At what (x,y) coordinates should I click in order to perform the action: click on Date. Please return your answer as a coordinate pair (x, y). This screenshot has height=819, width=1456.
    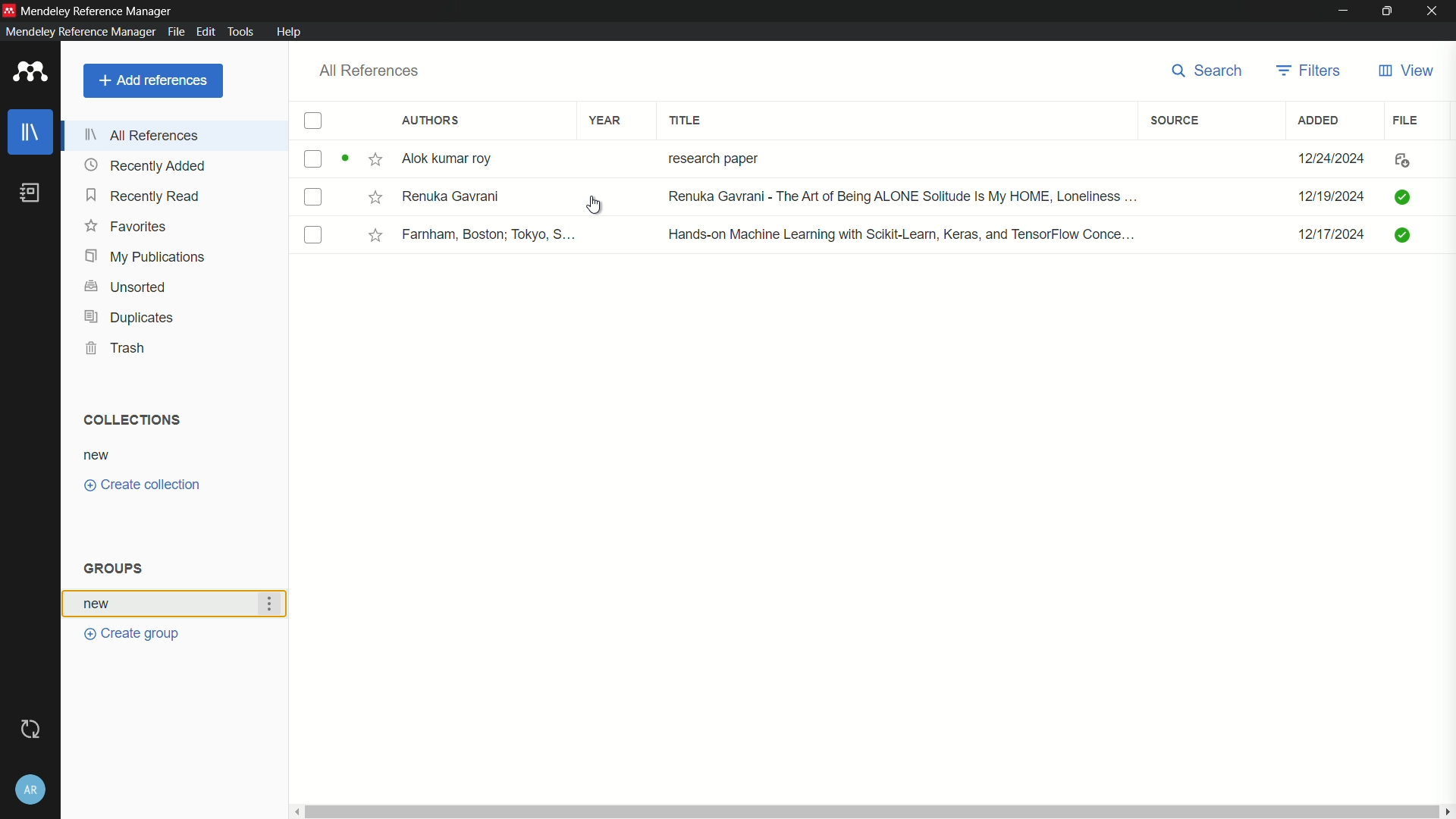
    Looking at the image, I should click on (1334, 158).